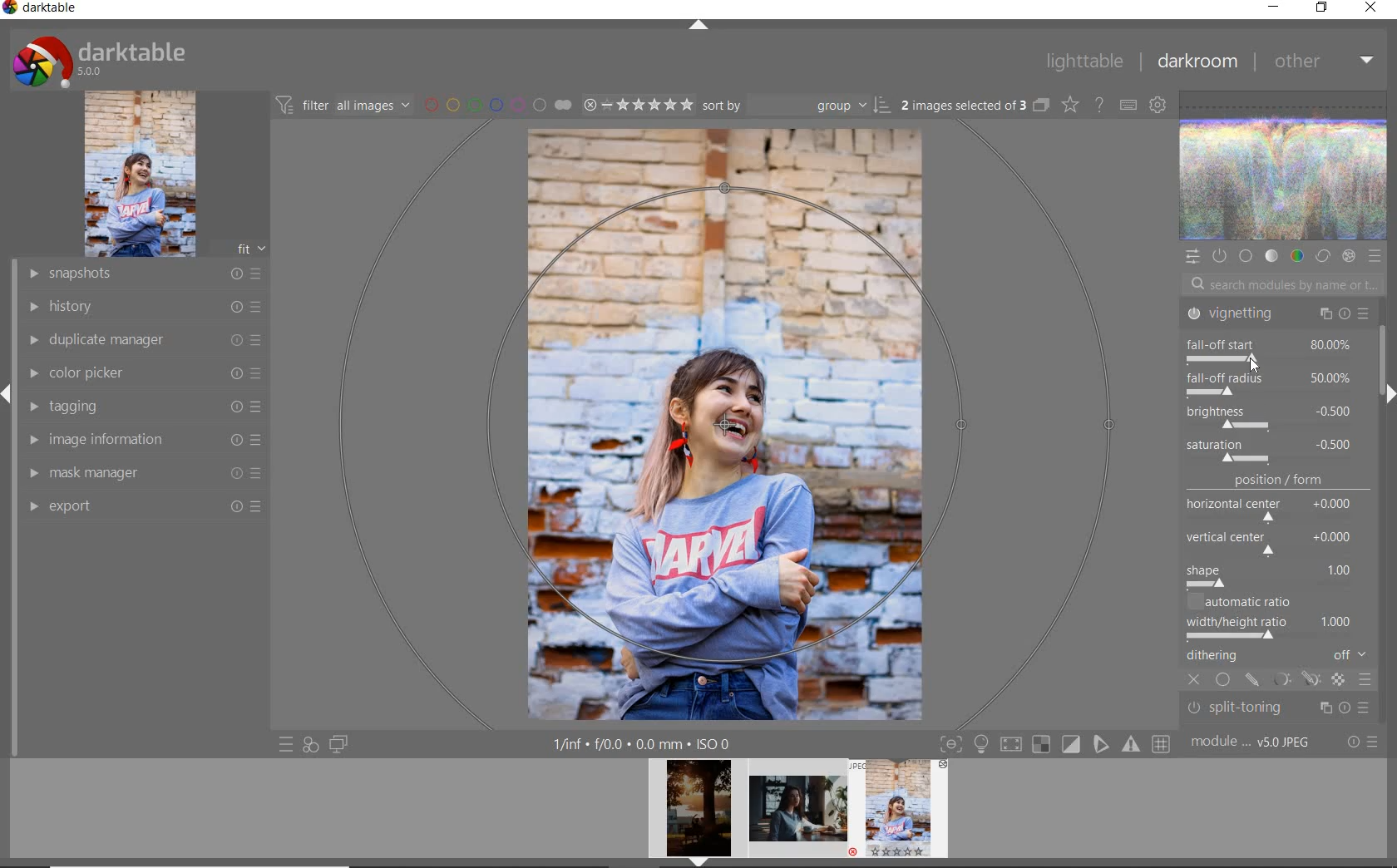 Image resolution: width=1397 pixels, height=868 pixels. I want to click on MINIMIZE, so click(1273, 7).